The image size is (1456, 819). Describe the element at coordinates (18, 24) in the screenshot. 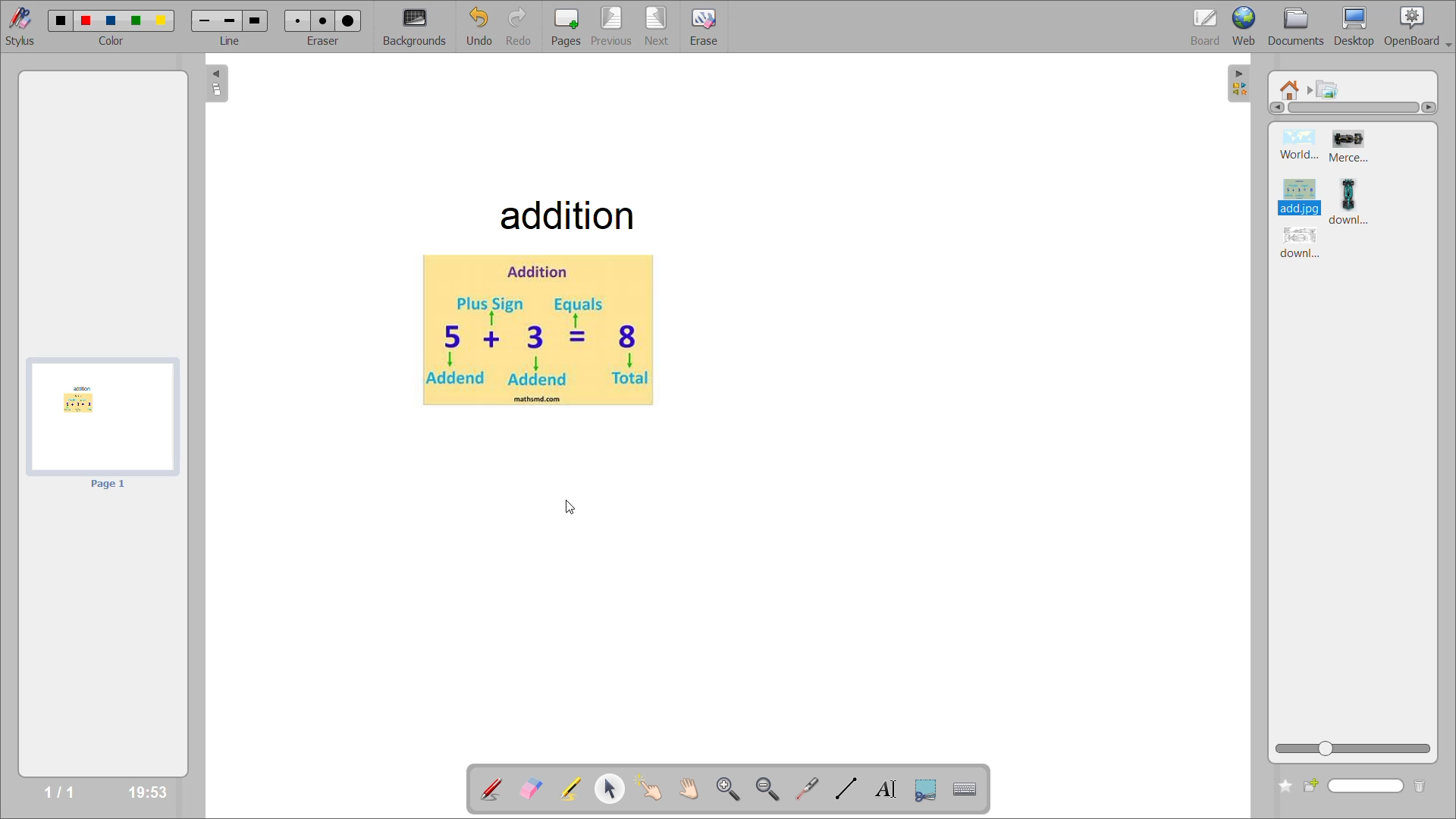

I see `stylus` at that location.